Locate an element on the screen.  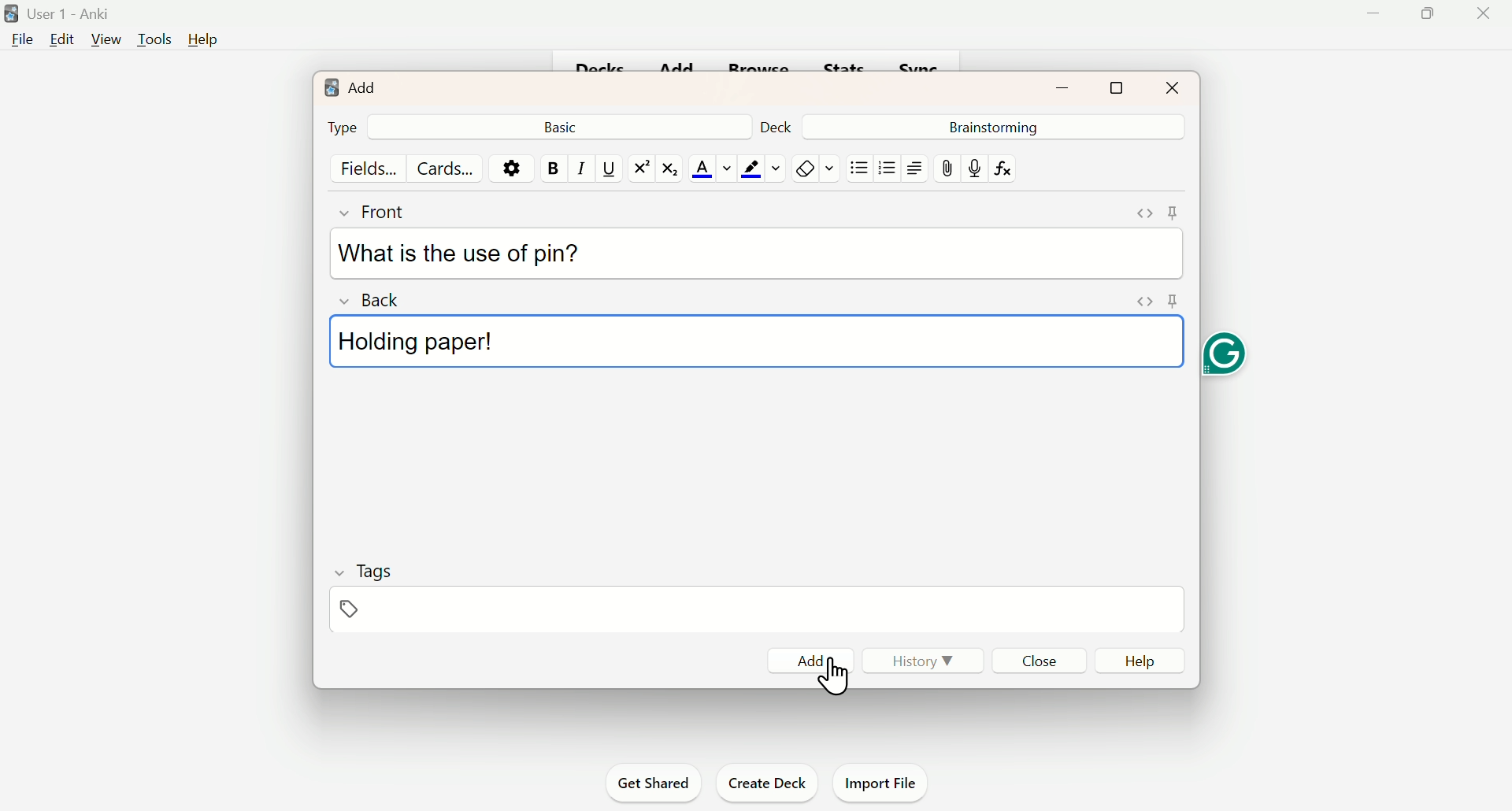
 is located at coordinates (642, 167).